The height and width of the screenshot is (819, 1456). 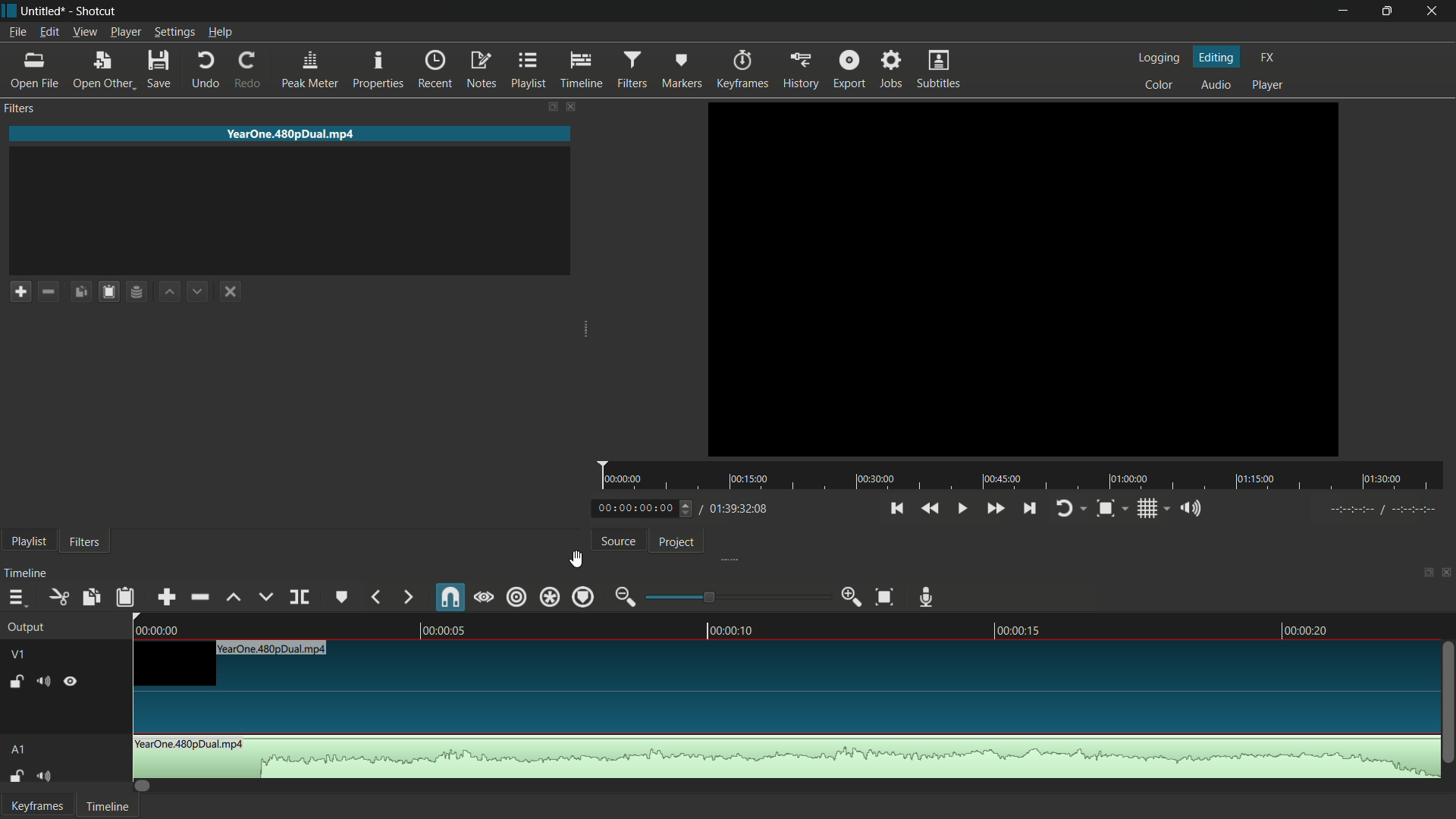 What do you see at coordinates (58, 598) in the screenshot?
I see `cut` at bounding box center [58, 598].